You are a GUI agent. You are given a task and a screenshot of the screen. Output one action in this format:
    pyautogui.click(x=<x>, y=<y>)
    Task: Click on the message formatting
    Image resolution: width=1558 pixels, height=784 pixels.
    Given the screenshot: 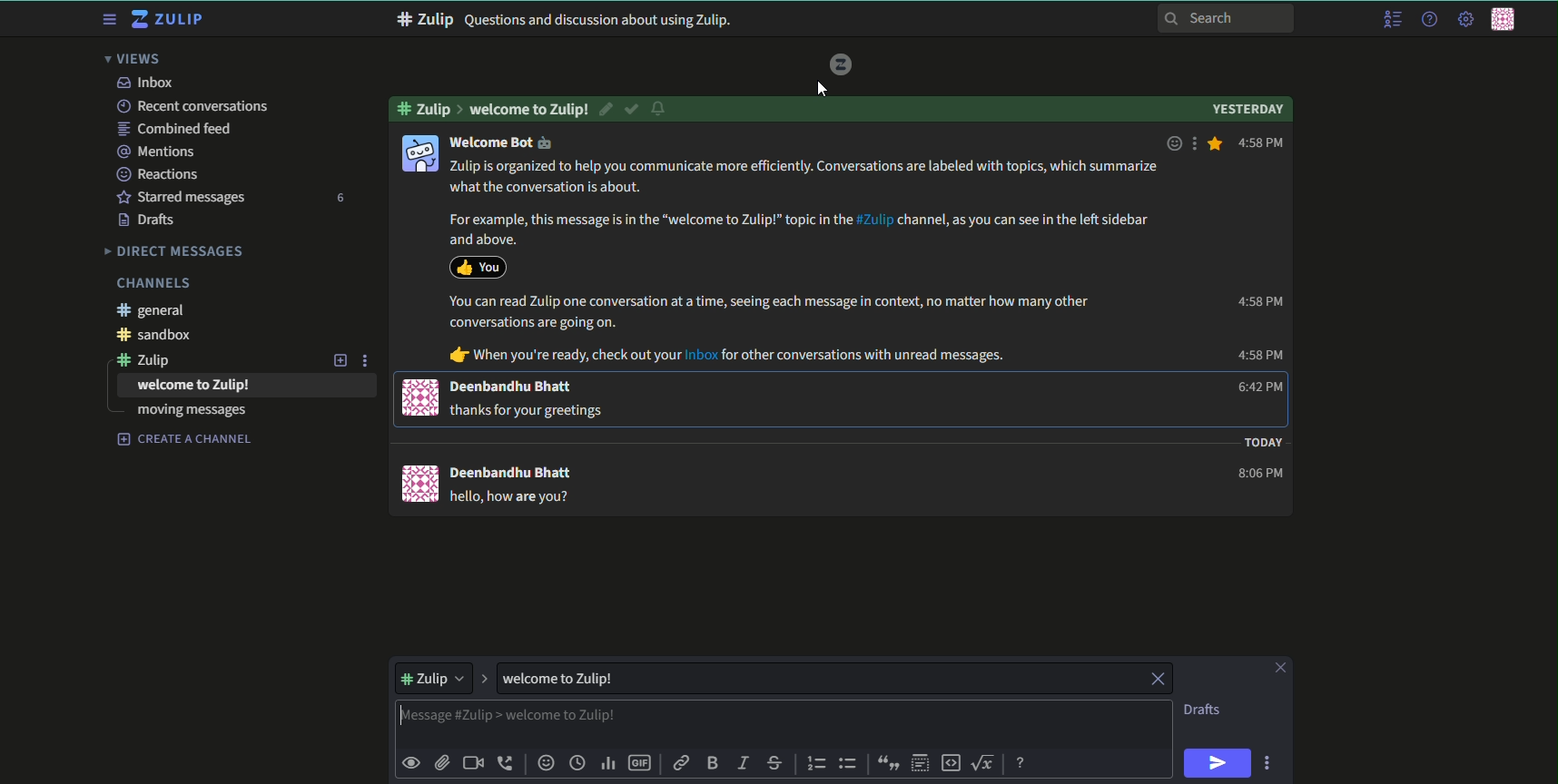 What is the action you would take?
    pyautogui.click(x=1022, y=760)
    